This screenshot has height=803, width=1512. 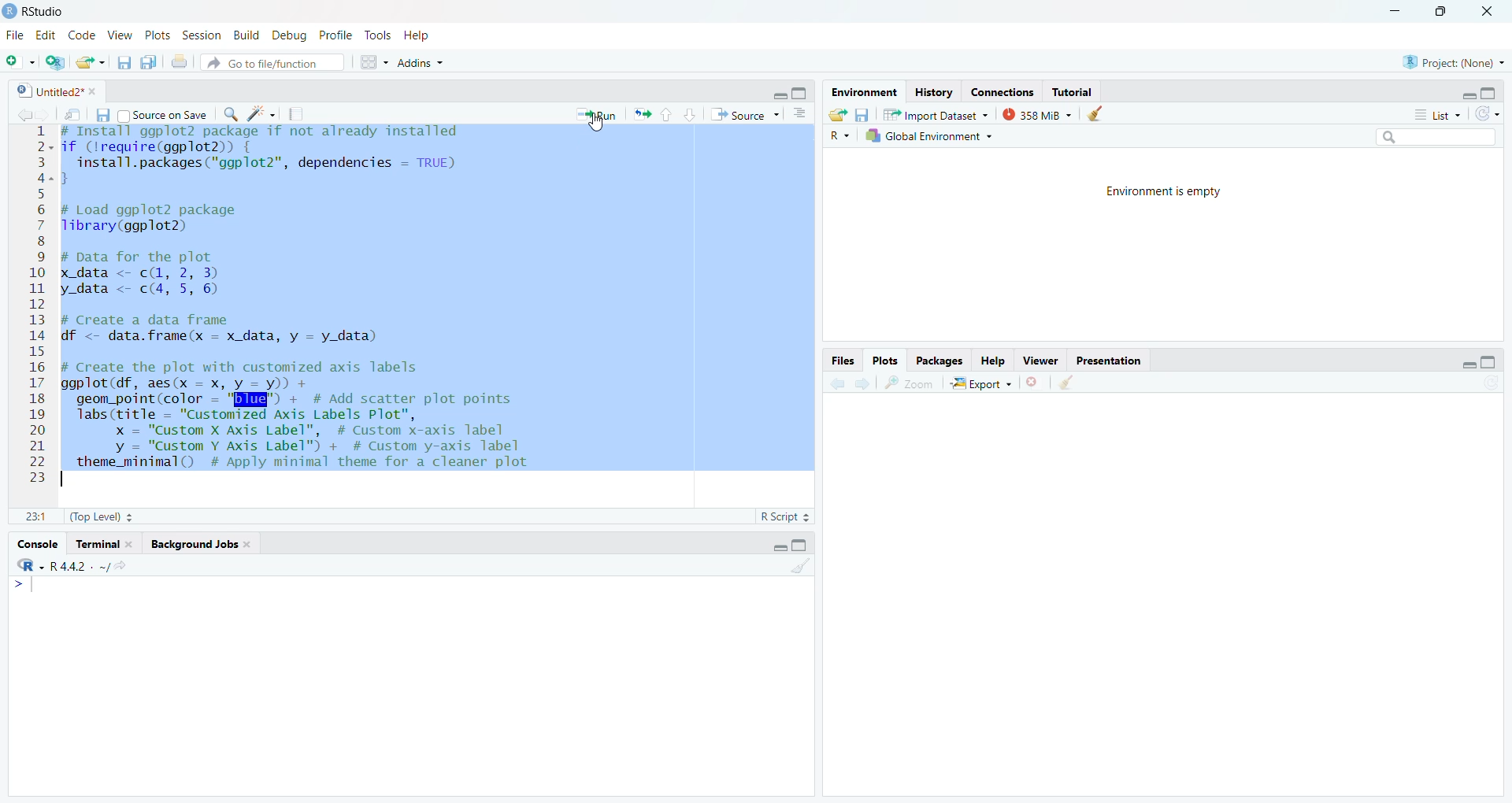 What do you see at coordinates (838, 135) in the screenshot?
I see `R~` at bounding box center [838, 135].